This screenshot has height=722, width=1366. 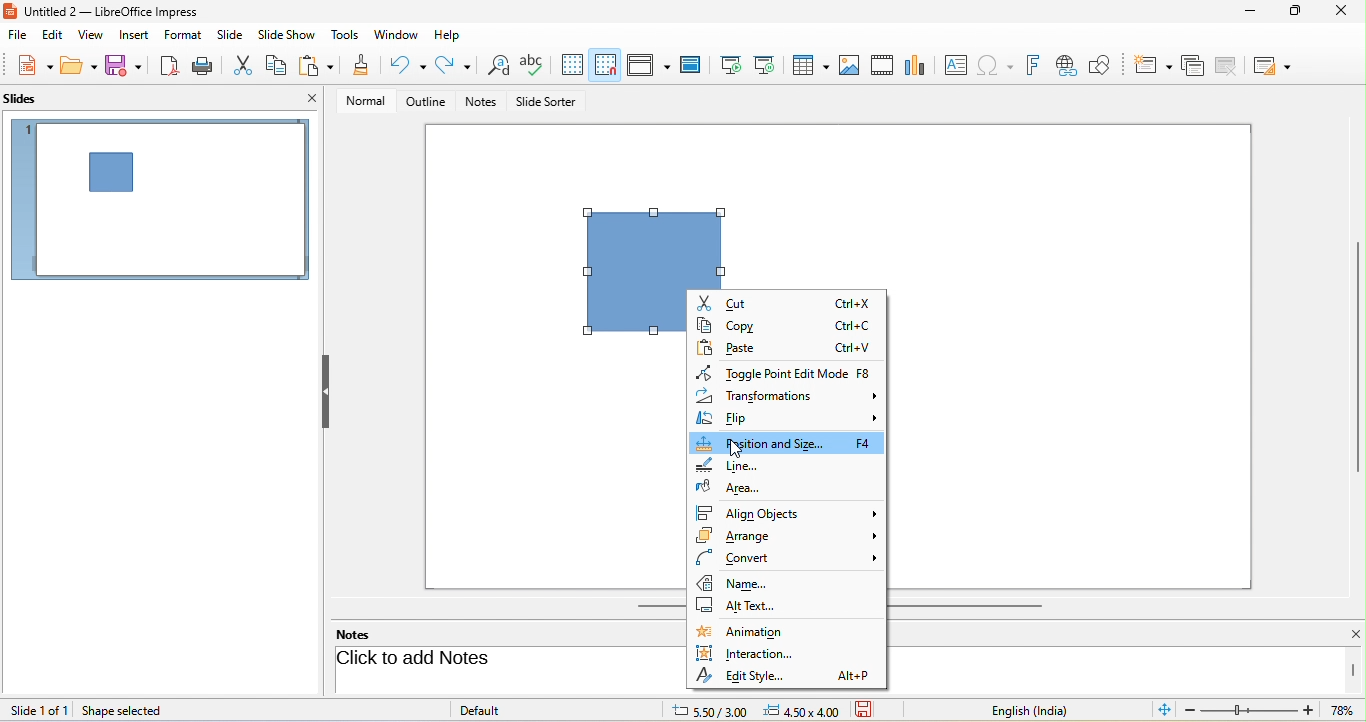 I want to click on interaction, so click(x=750, y=654).